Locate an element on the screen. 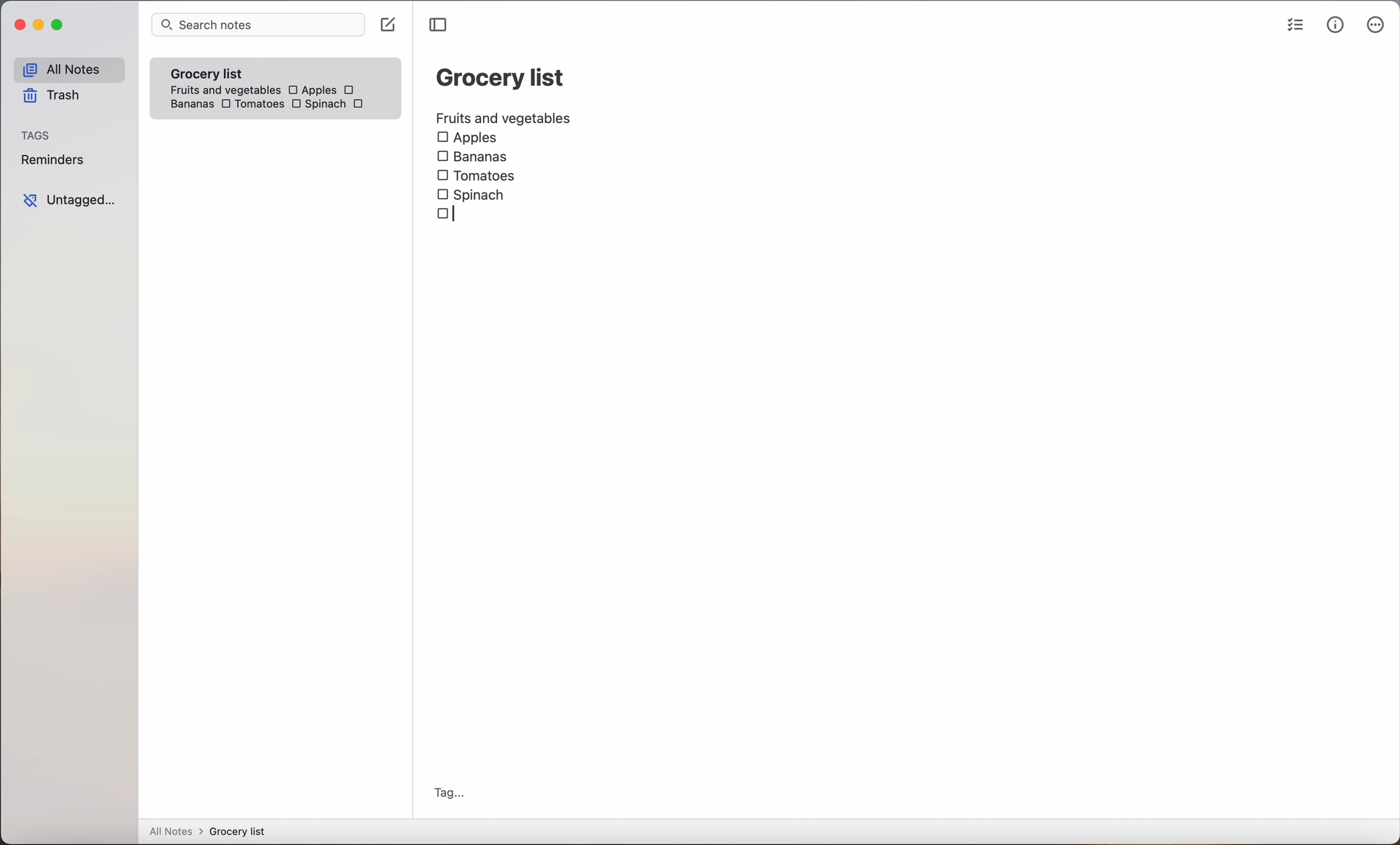 This screenshot has width=1400, height=845. grocery list note fruits and vegetables is located at coordinates (221, 77).